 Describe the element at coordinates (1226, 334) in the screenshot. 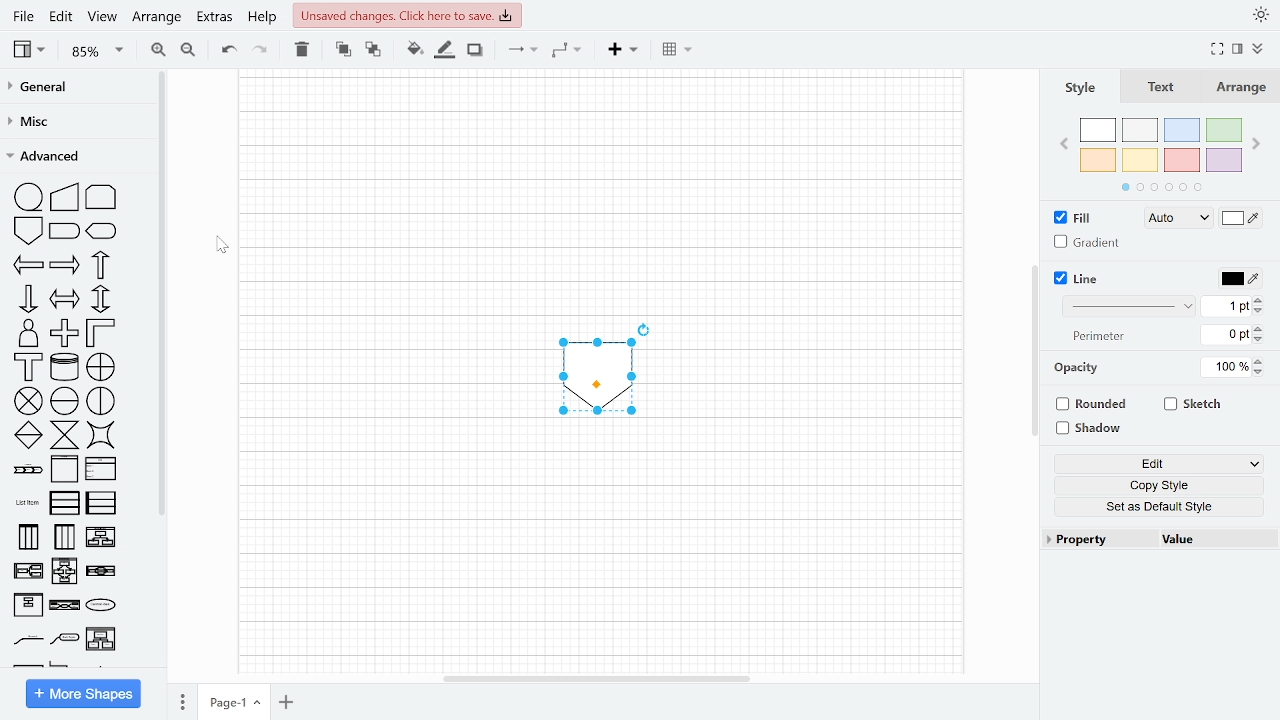

I see `Line perimeter` at that location.